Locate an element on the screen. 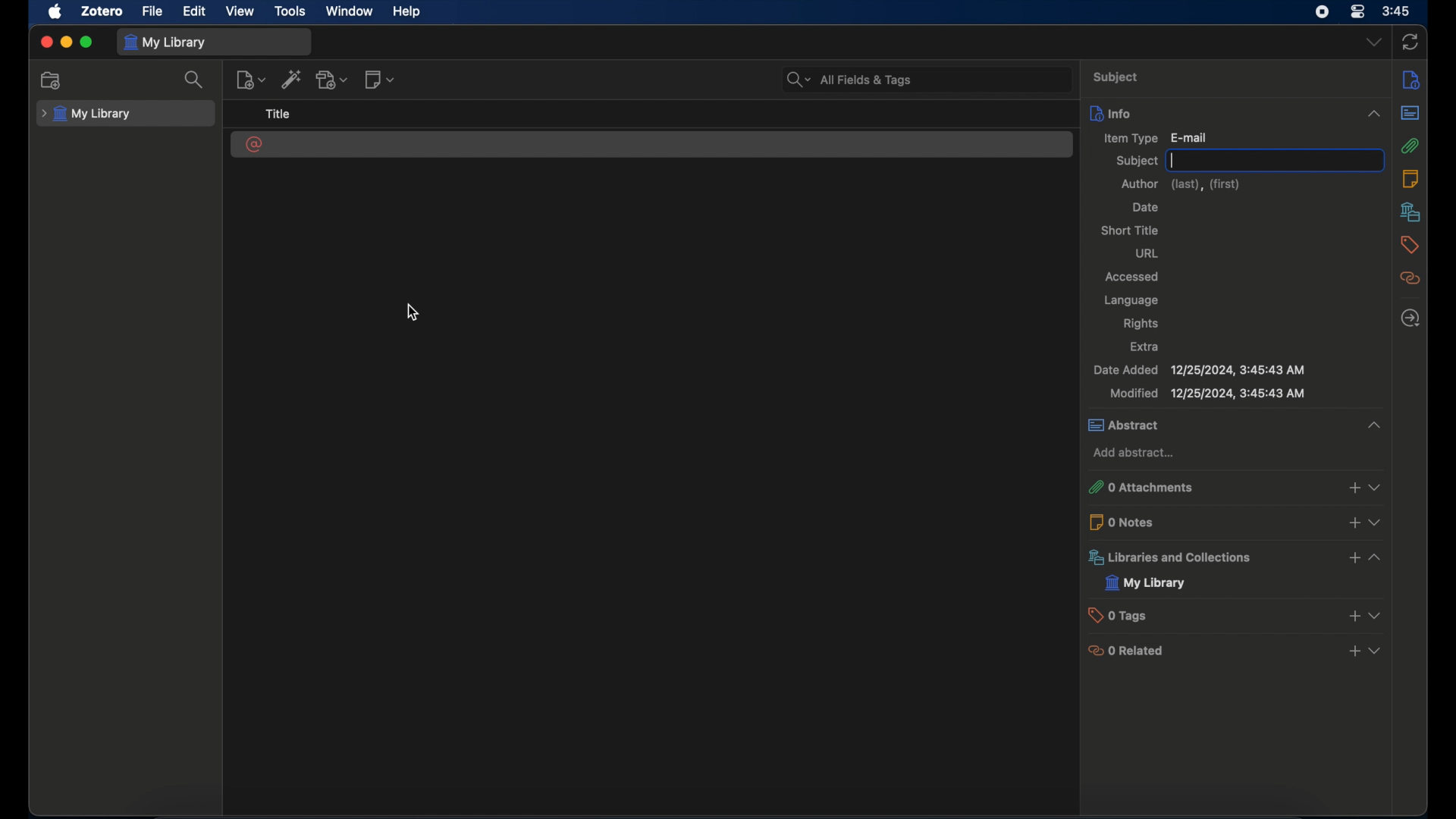 The height and width of the screenshot is (819, 1456). zotero is located at coordinates (100, 11).